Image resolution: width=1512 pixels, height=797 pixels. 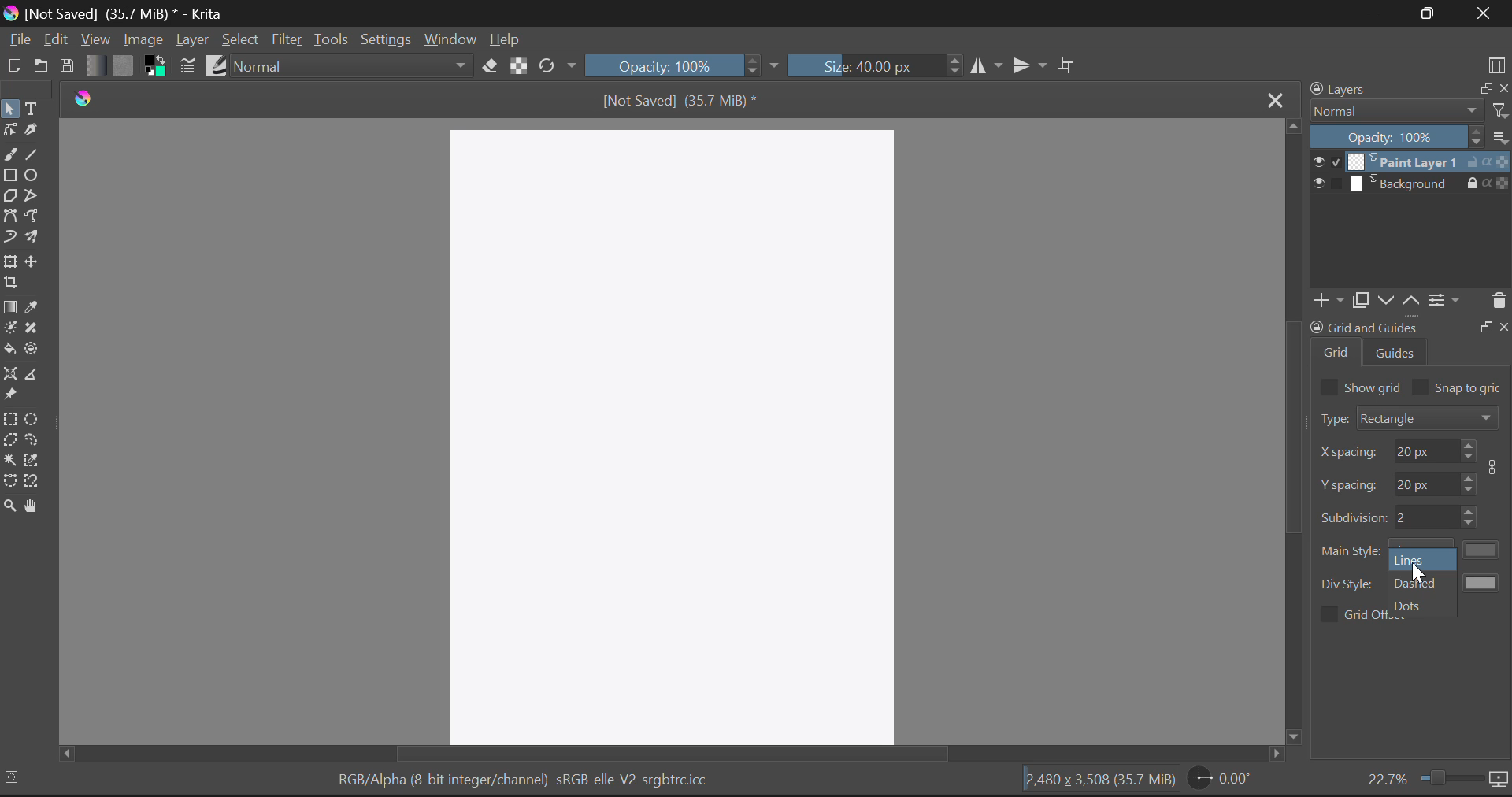 I want to click on Increase or decrease, so click(x=1469, y=482).